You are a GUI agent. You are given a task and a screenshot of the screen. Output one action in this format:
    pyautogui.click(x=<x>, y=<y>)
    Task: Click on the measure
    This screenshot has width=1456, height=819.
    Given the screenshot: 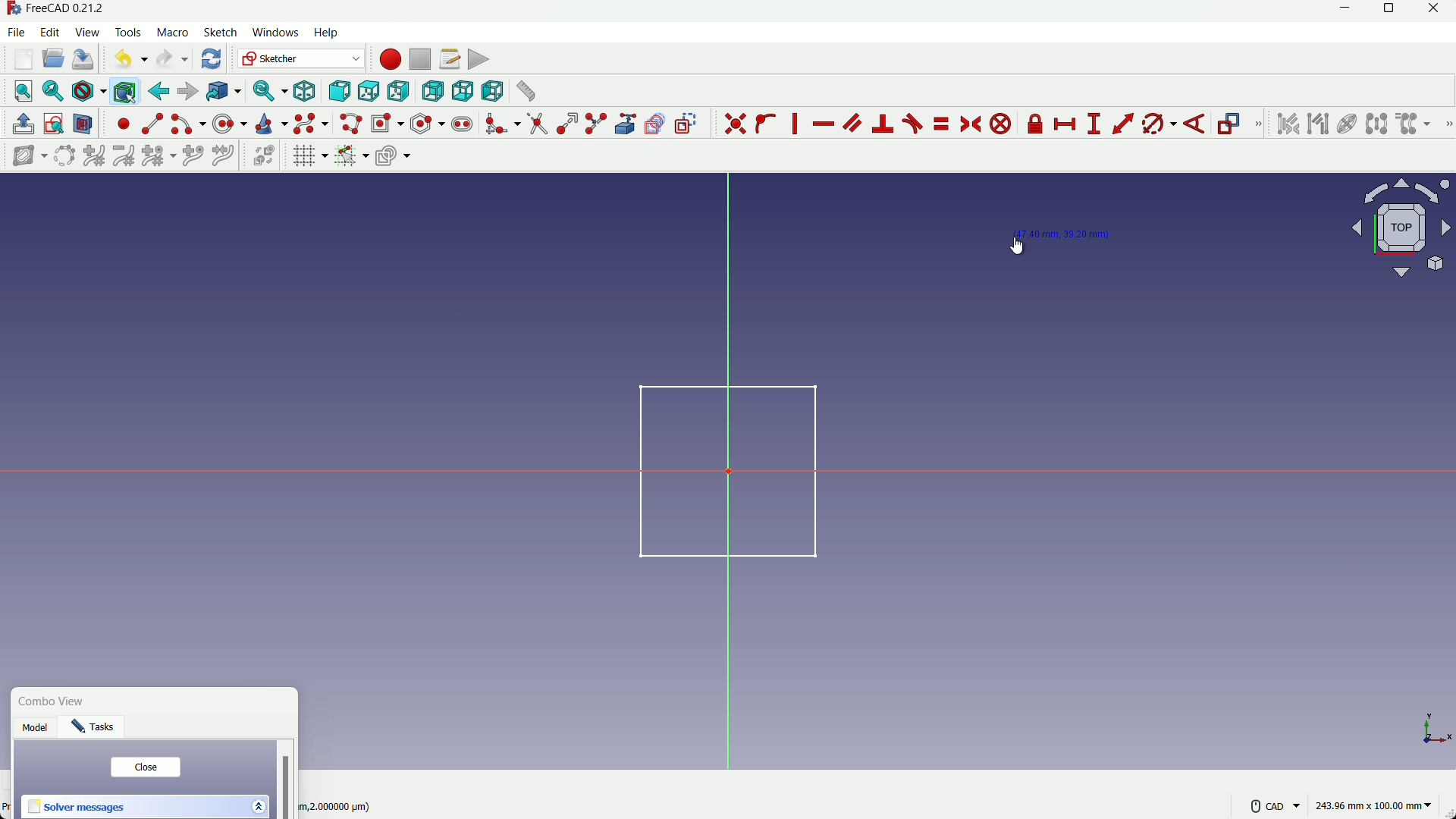 What is the action you would take?
    pyautogui.click(x=525, y=91)
    